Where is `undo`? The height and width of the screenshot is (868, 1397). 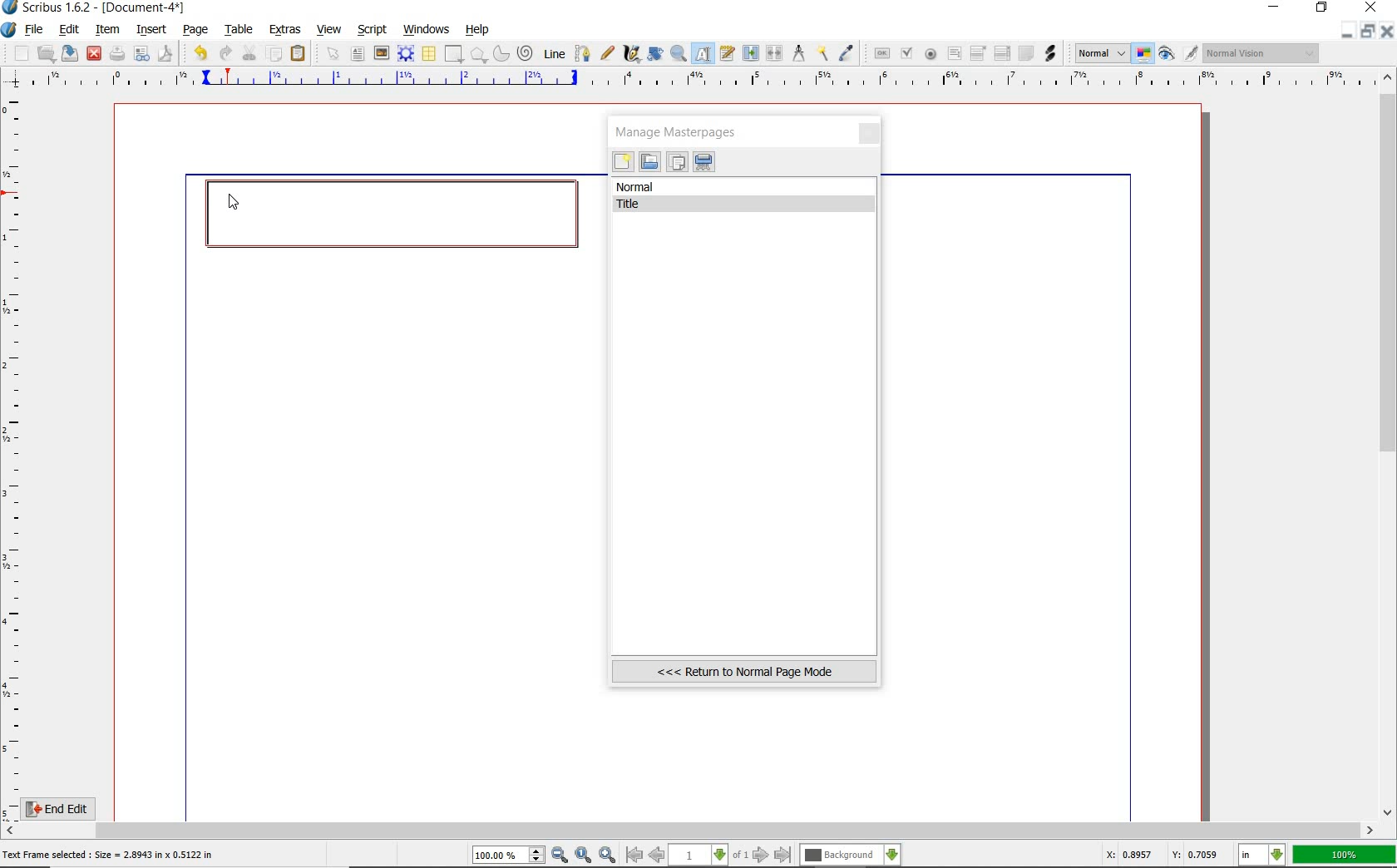 undo is located at coordinates (197, 52).